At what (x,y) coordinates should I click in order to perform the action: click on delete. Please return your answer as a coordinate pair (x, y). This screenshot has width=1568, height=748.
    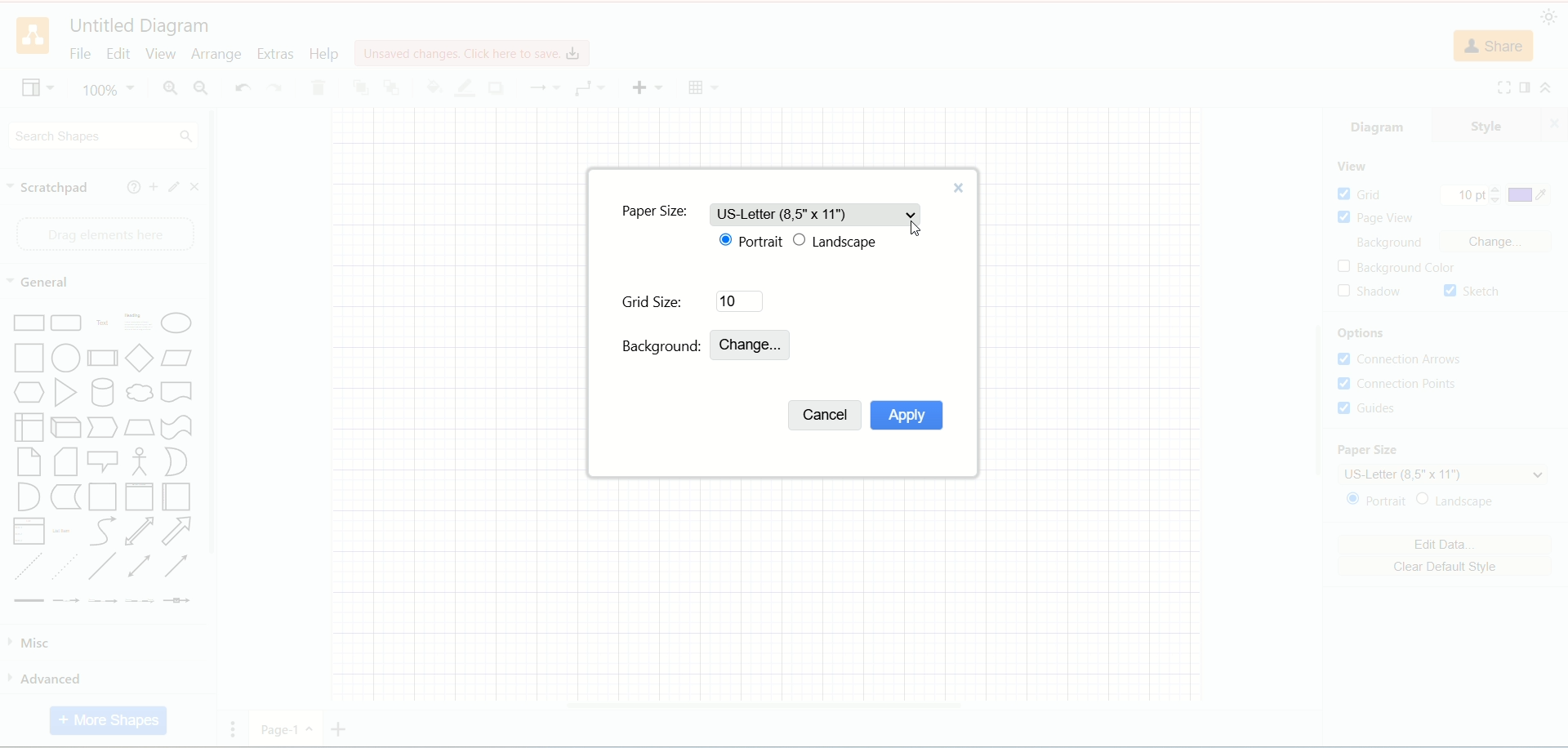
    Looking at the image, I should click on (318, 88).